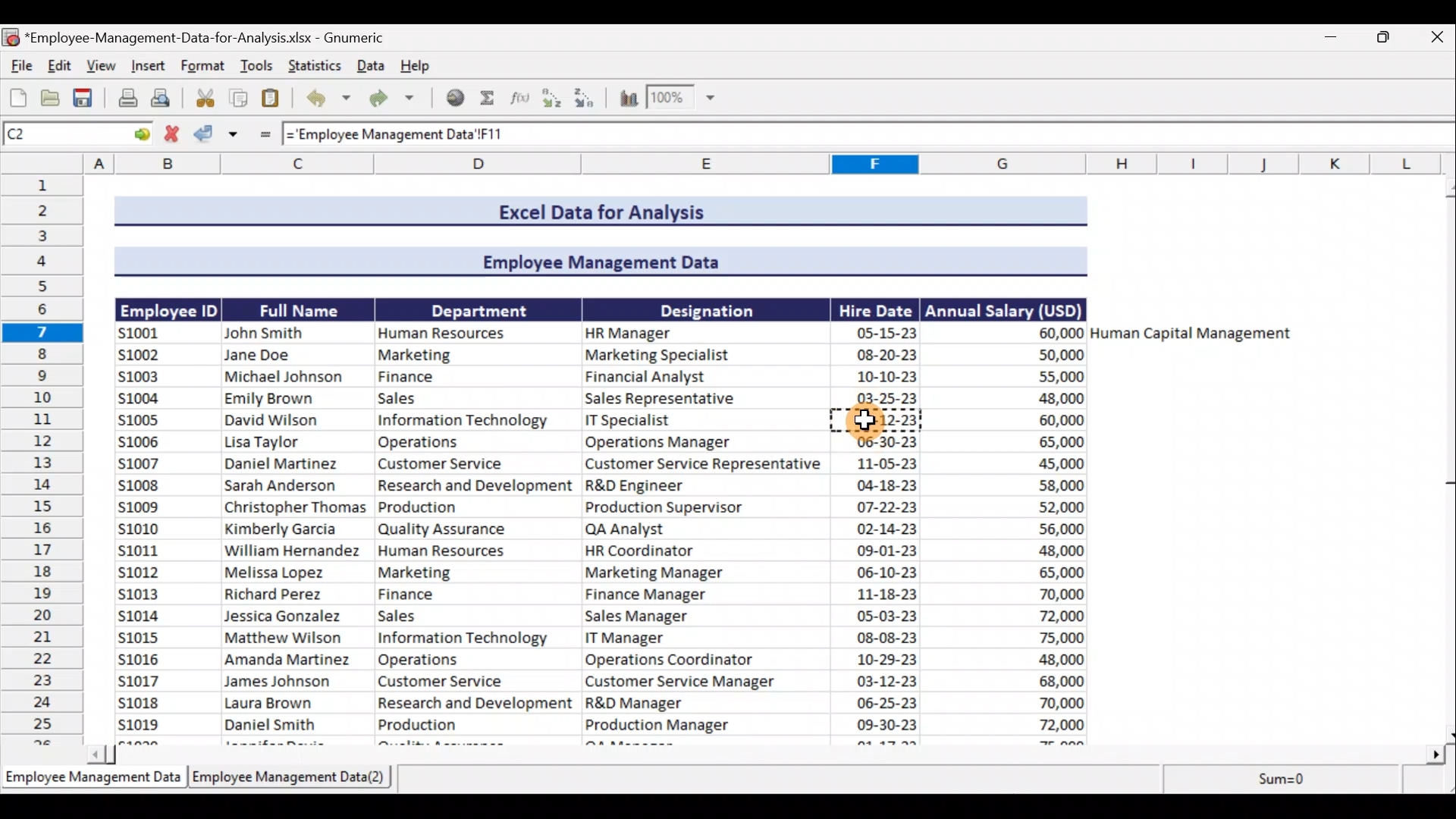 The width and height of the screenshot is (1456, 819). Describe the element at coordinates (313, 65) in the screenshot. I see `Statistics` at that location.